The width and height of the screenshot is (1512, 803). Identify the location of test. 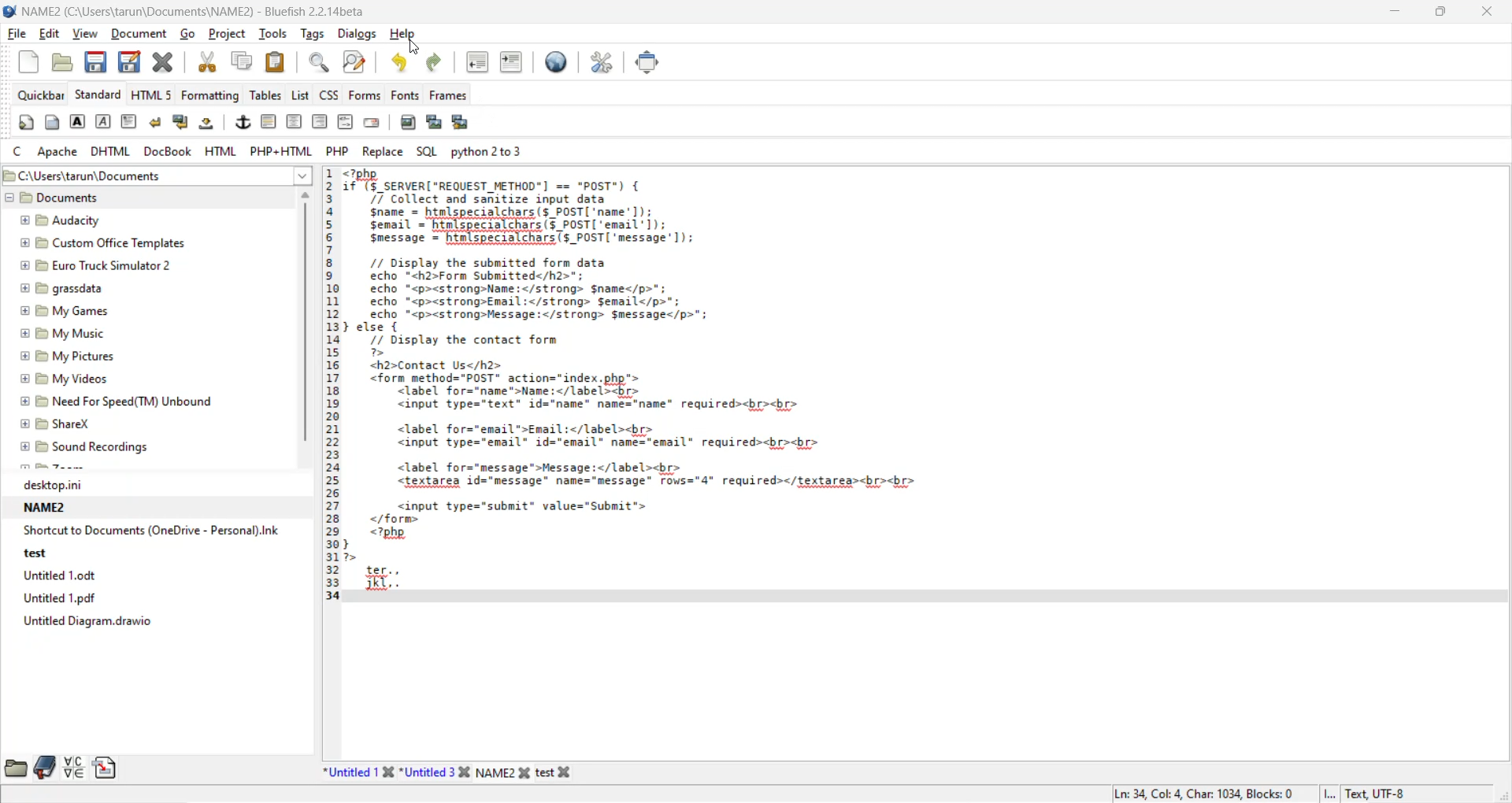
(559, 770).